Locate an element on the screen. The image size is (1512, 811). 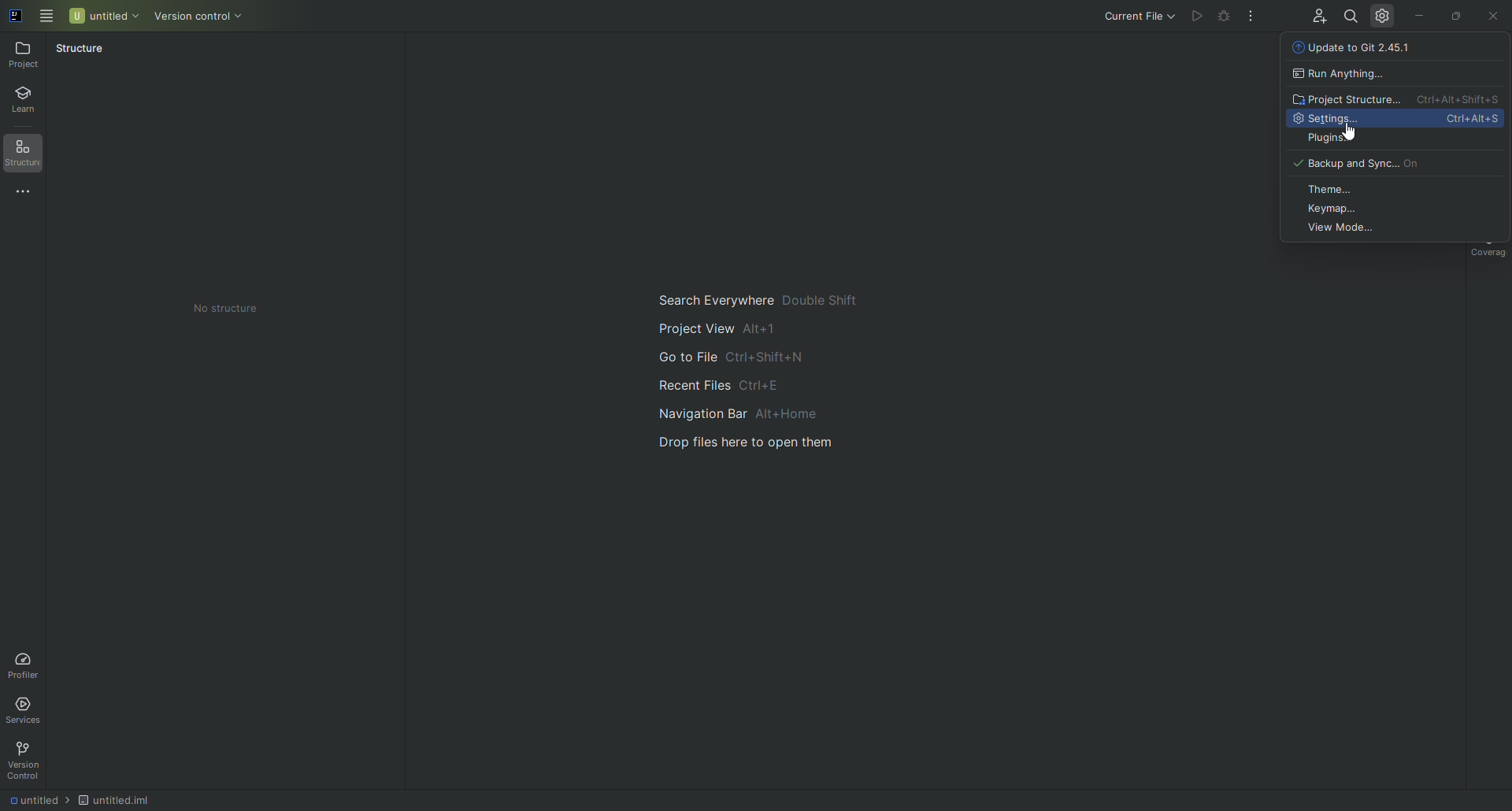
Project Structure Ctrl+Alt+Shift+S is located at coordinates (1394, 97).